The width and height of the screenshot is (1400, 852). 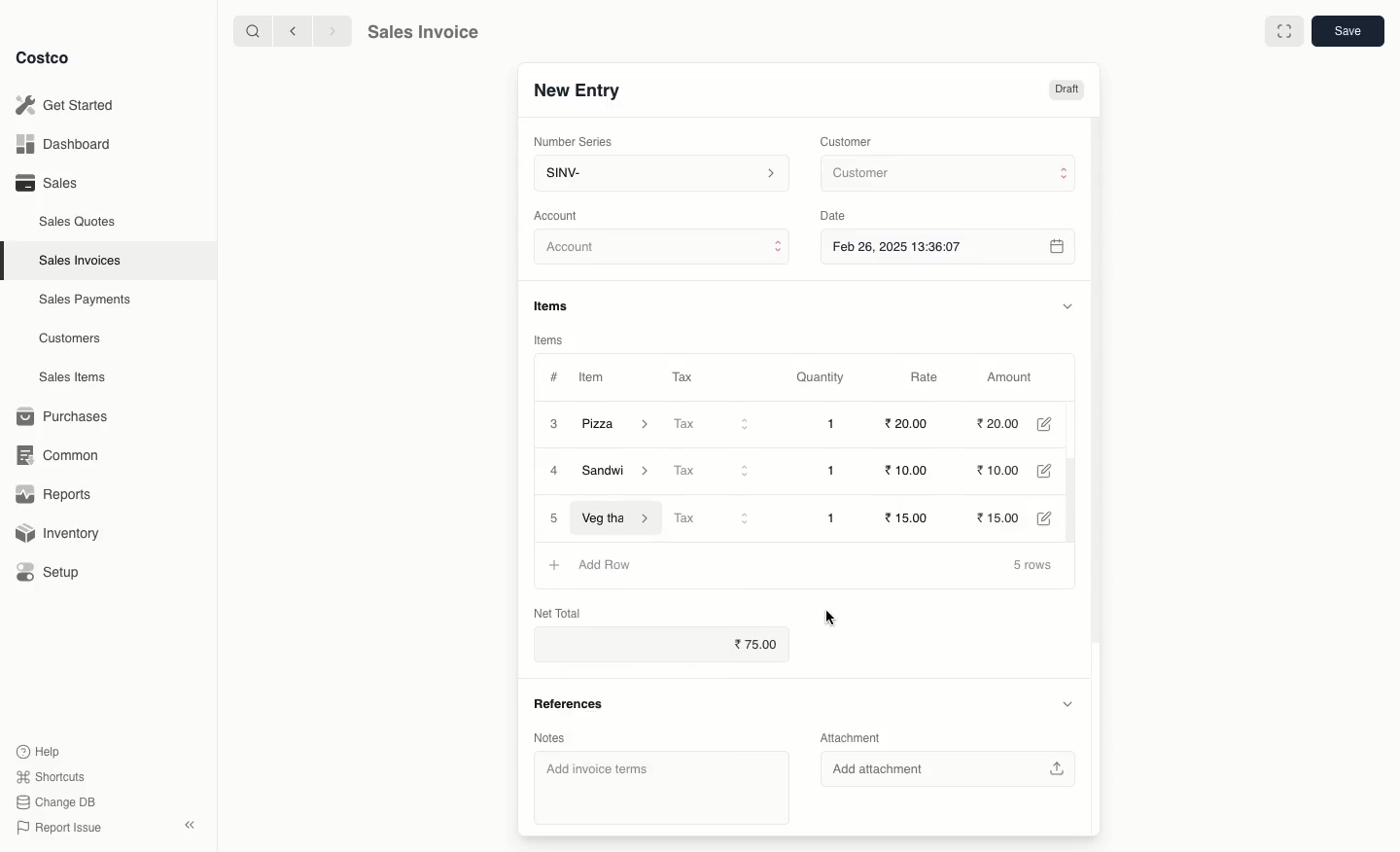 What do you see at coordinates (663, 250) in the screenshot?
I see `Account` at bounding box center [663, 250].